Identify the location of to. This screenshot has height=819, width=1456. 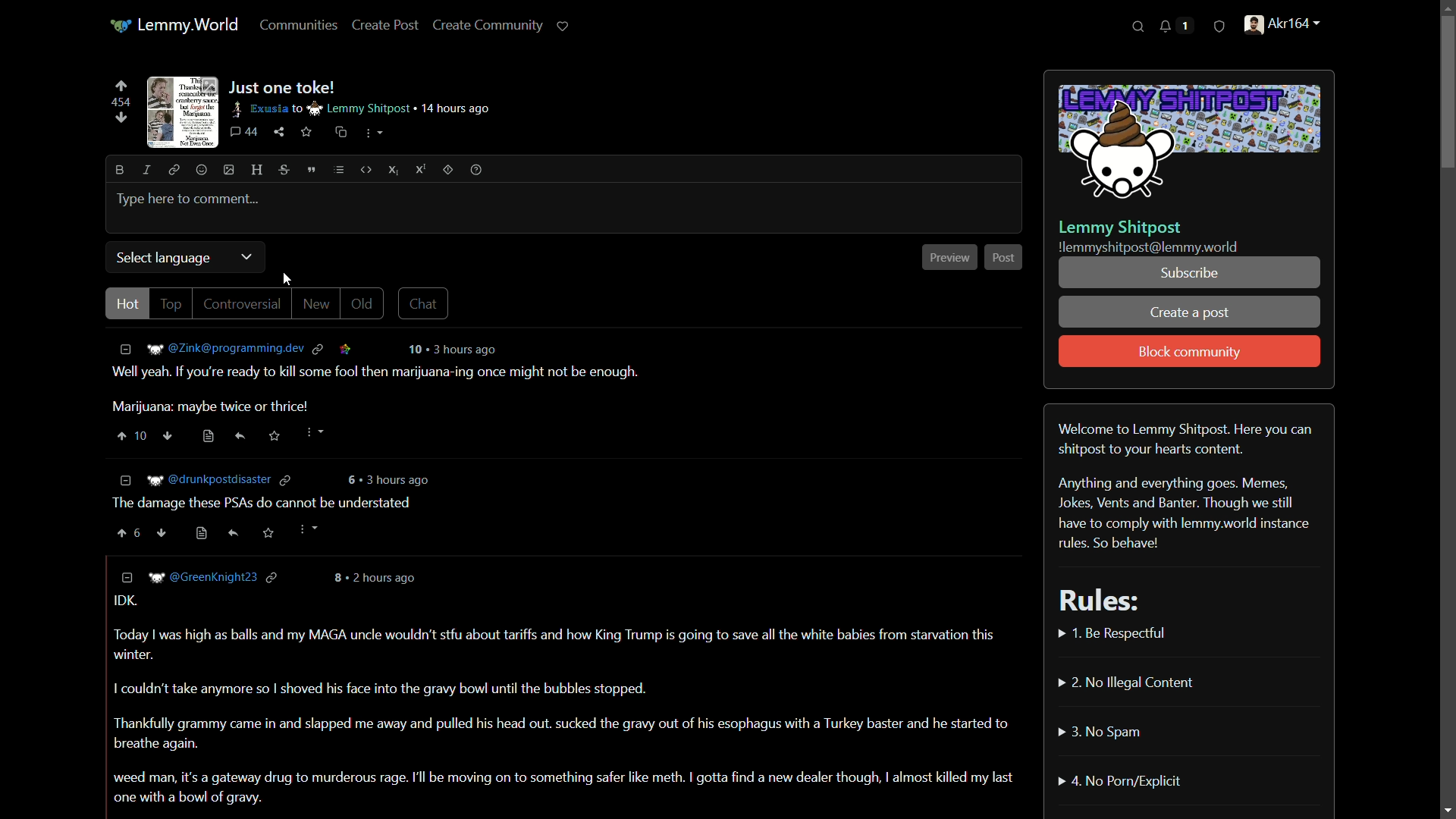
(297, 109).